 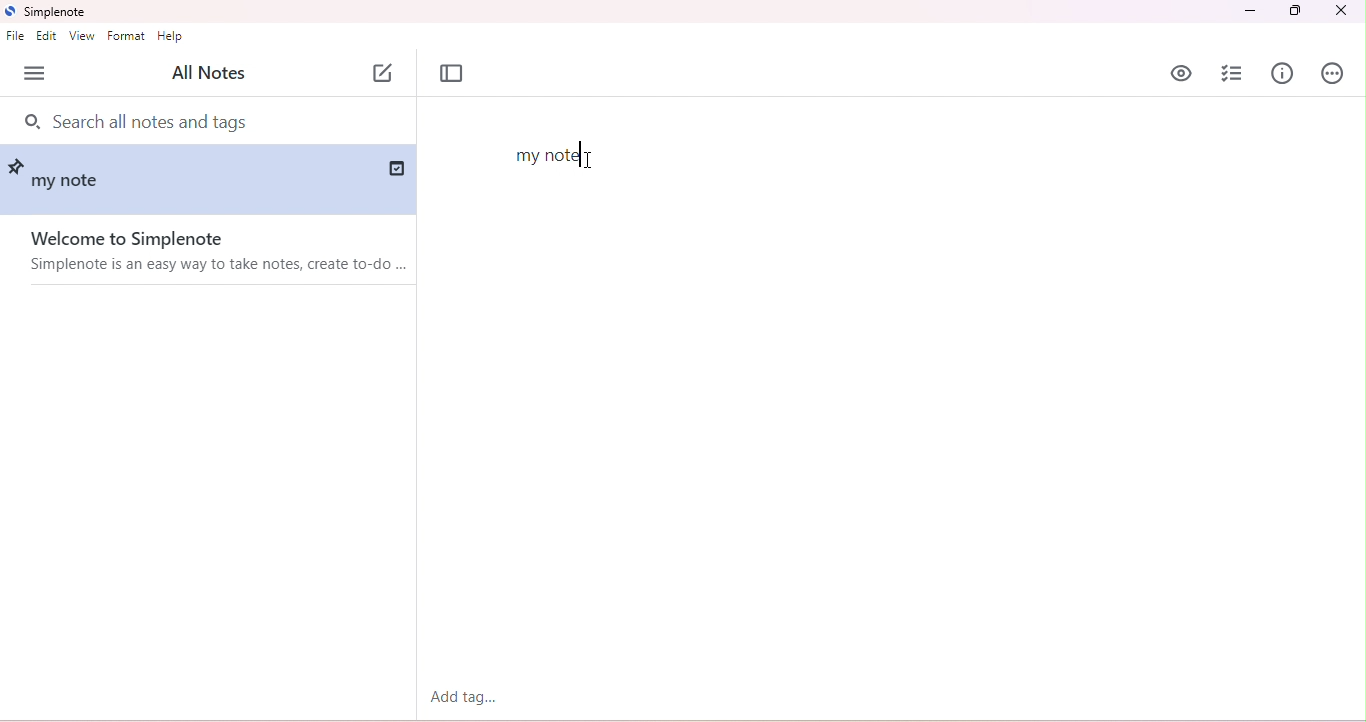 I want to click on minimize, so click(x=1248, y=12).